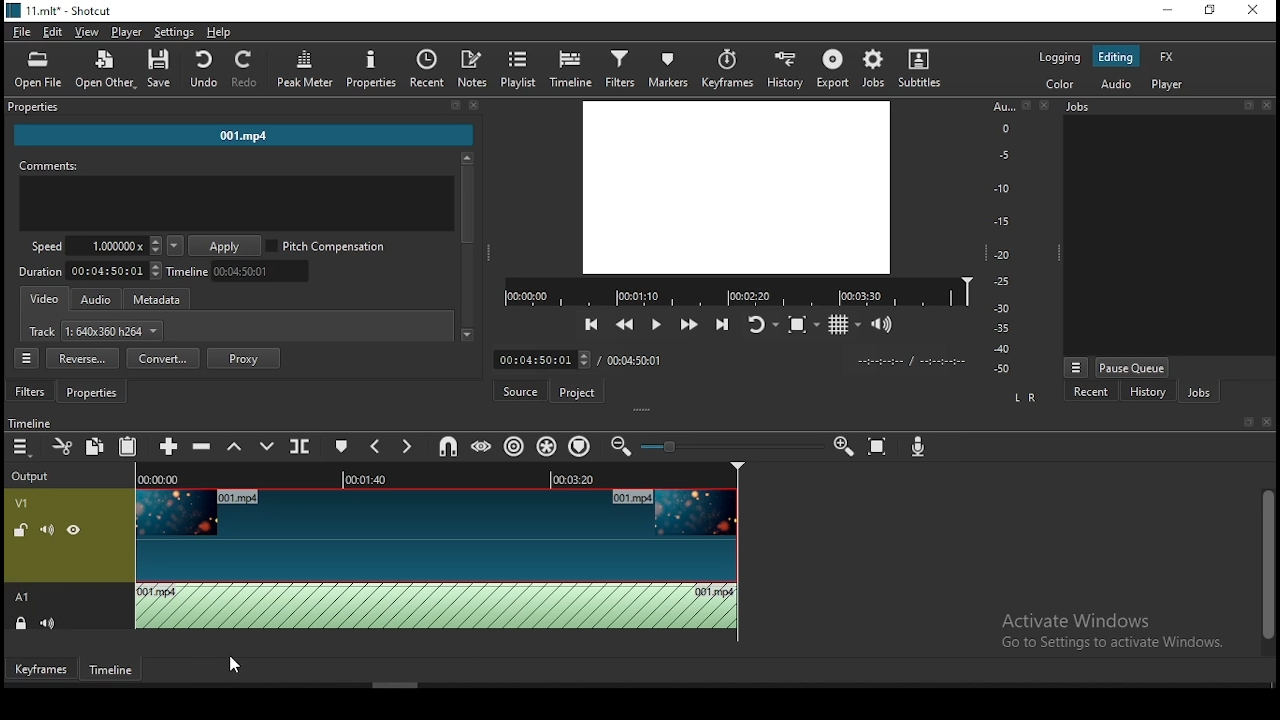 The width and height of the screenshot is (1280, 720). What do you see at coordinates (77, 530) in the screenshot?
I see `(un)hide` at bounding box center [77, 530].